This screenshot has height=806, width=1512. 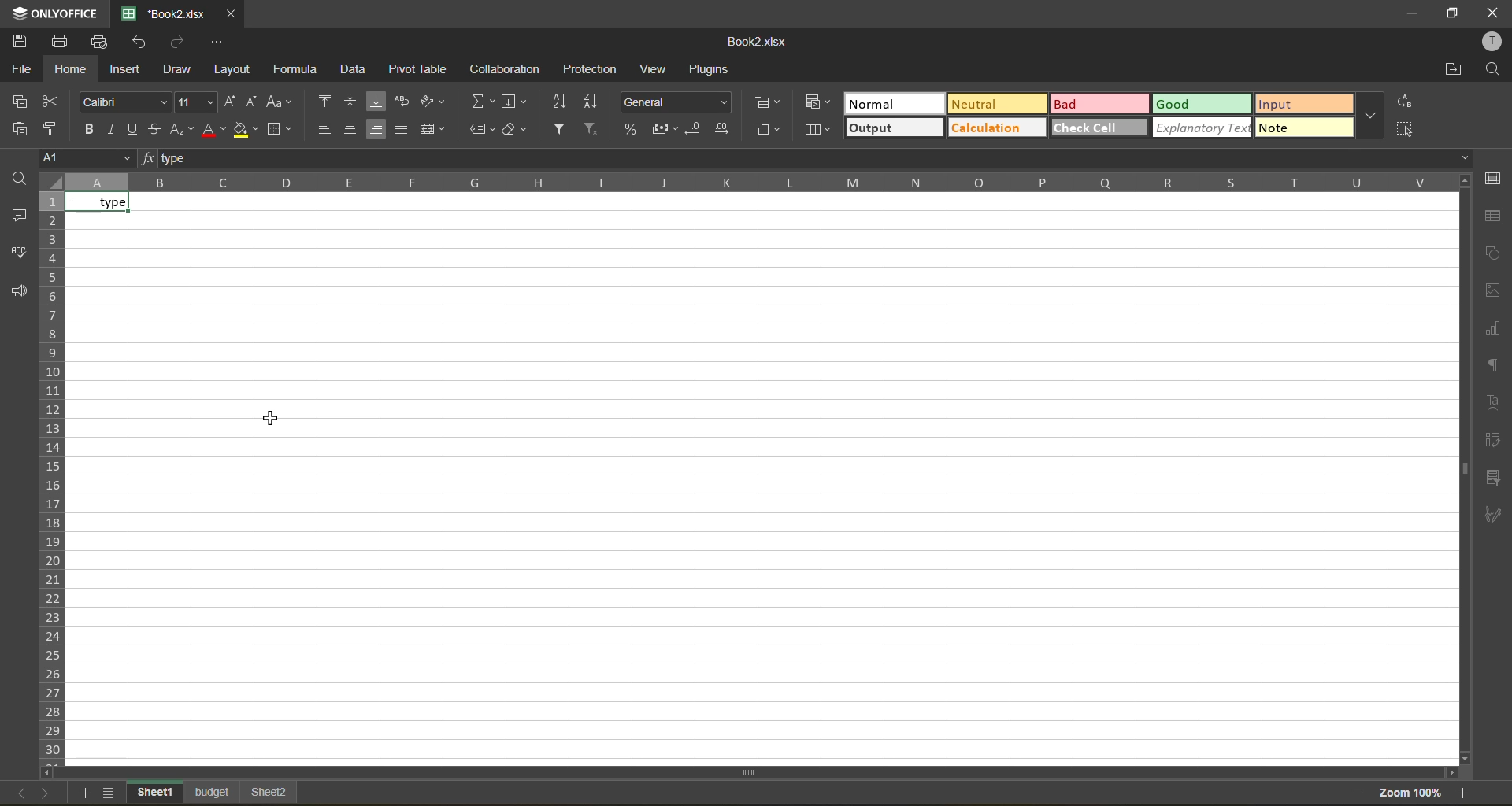 I want to click on cell address, so click(x=90, y=157).